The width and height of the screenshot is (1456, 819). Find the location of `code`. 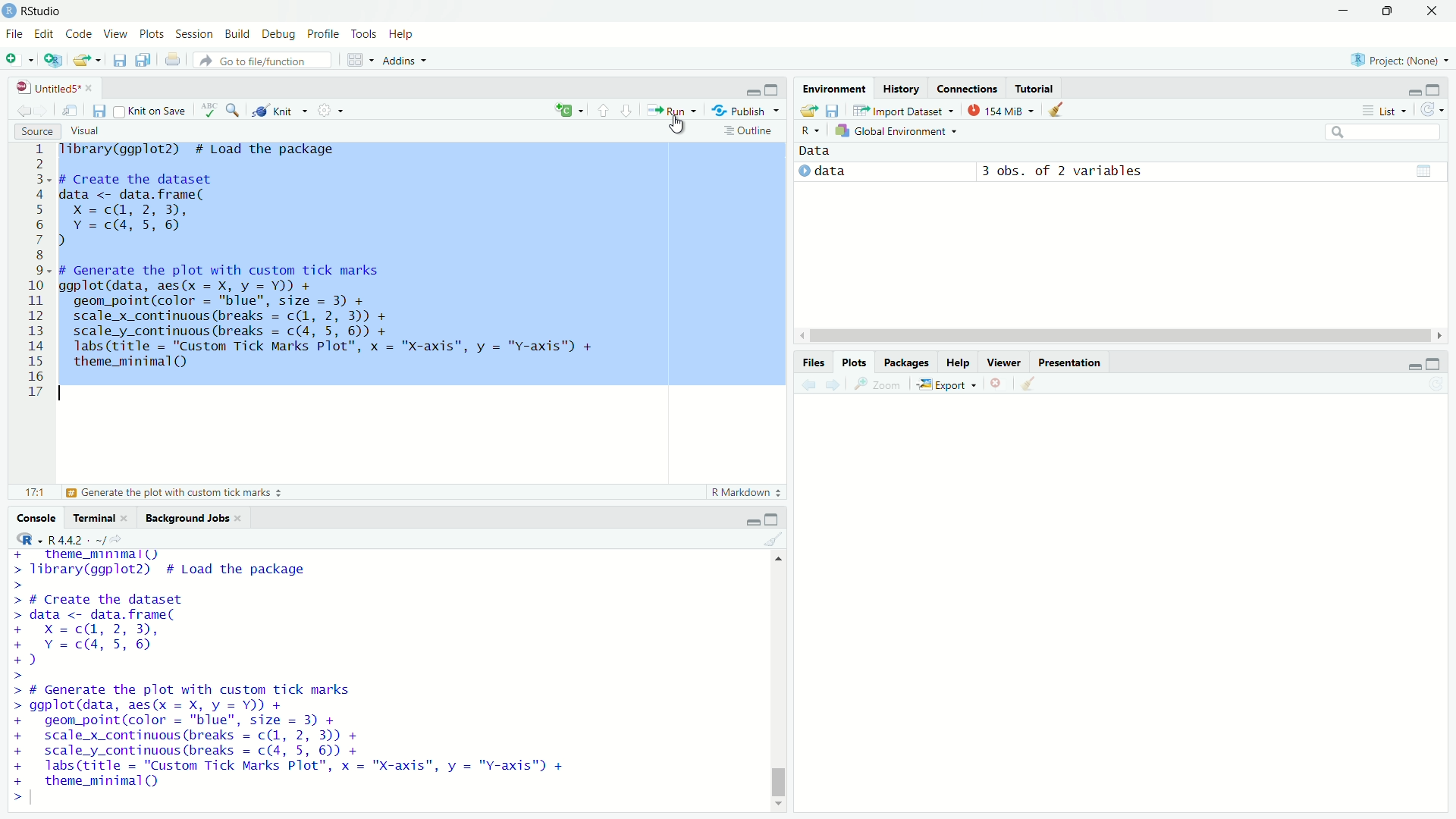

code is located at coordinates (80, 35).